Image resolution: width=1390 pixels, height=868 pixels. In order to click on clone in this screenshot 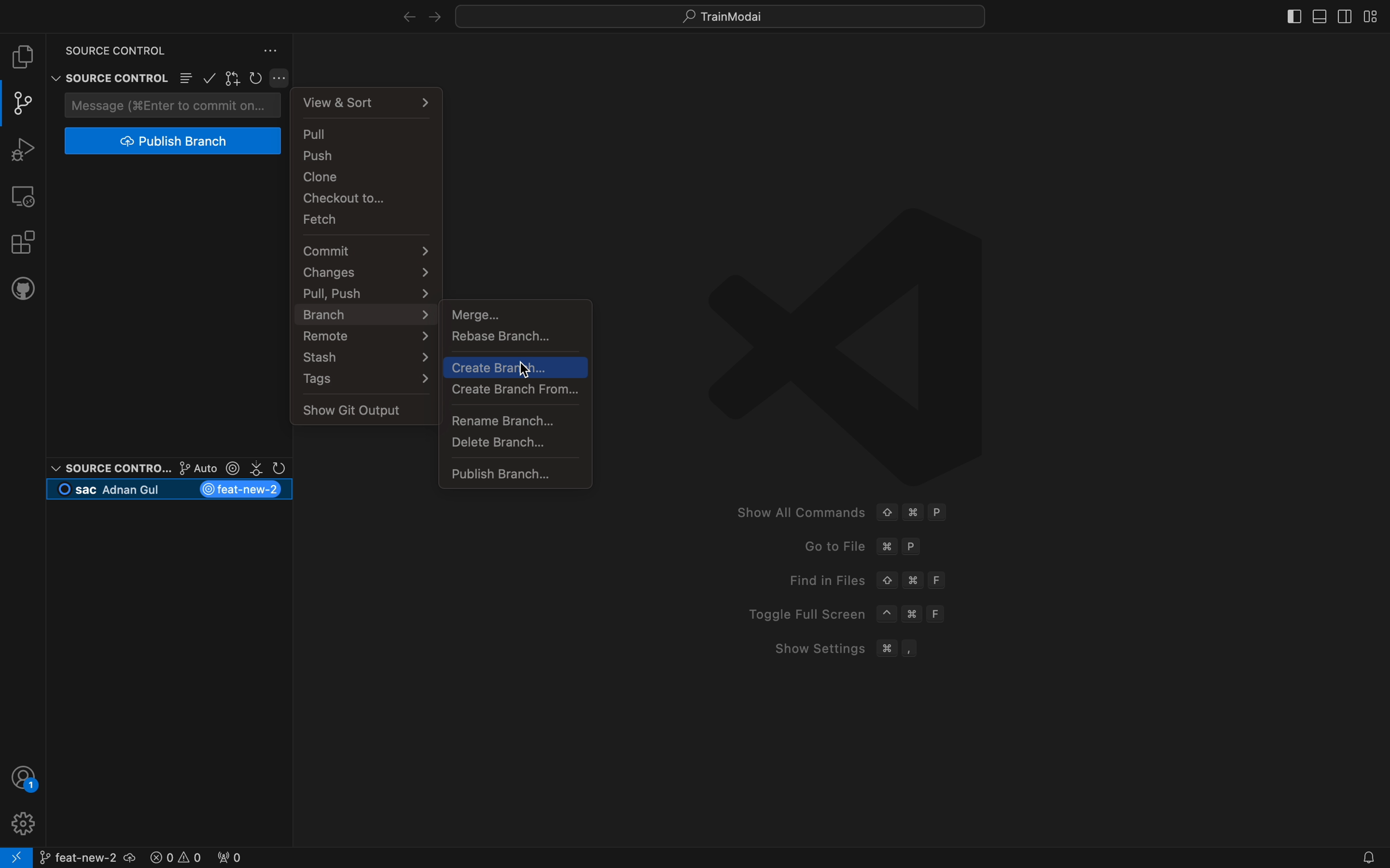, I will do `click(367, 178)`.